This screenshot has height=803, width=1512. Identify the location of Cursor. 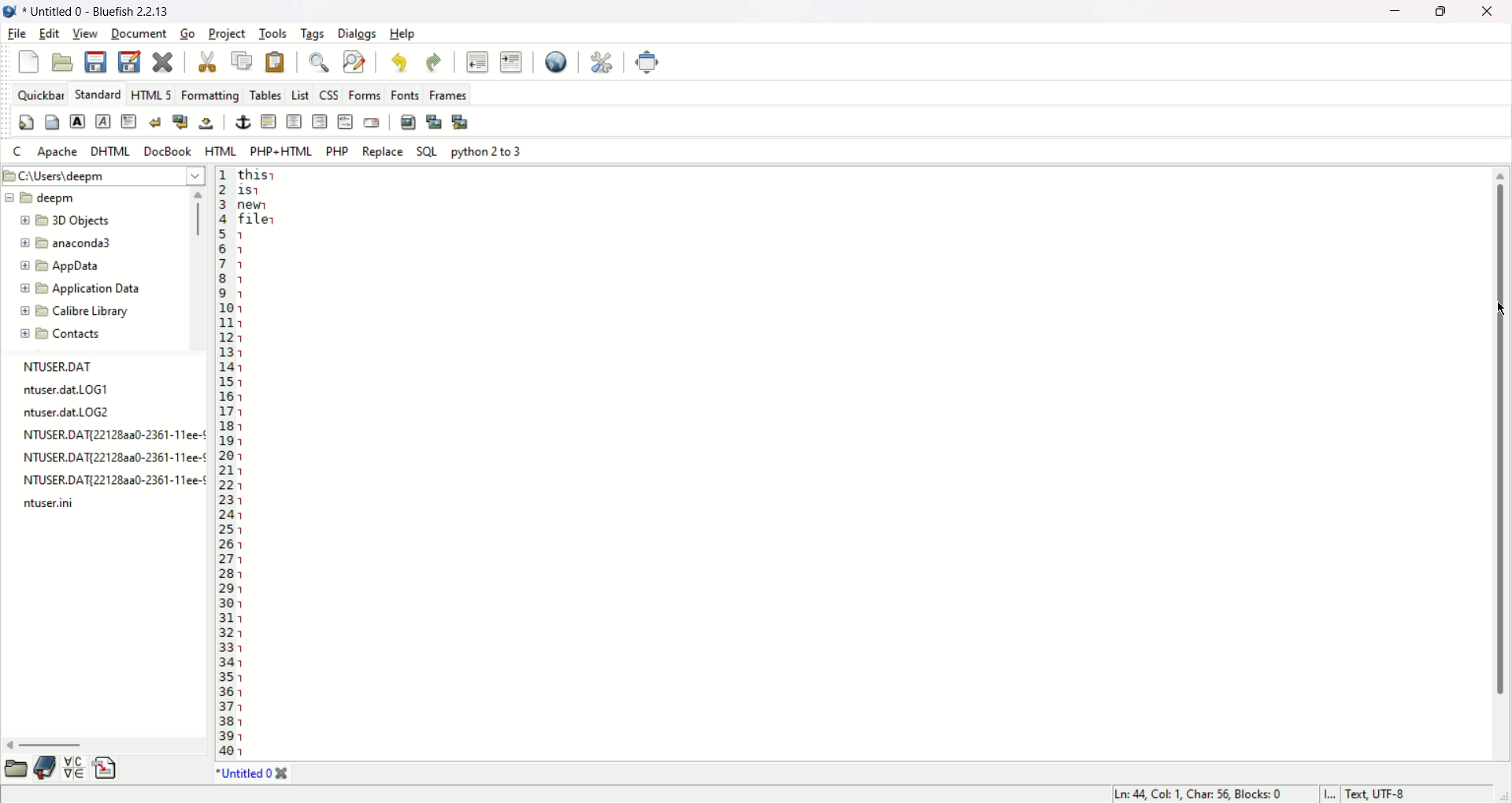
(1498, 312).